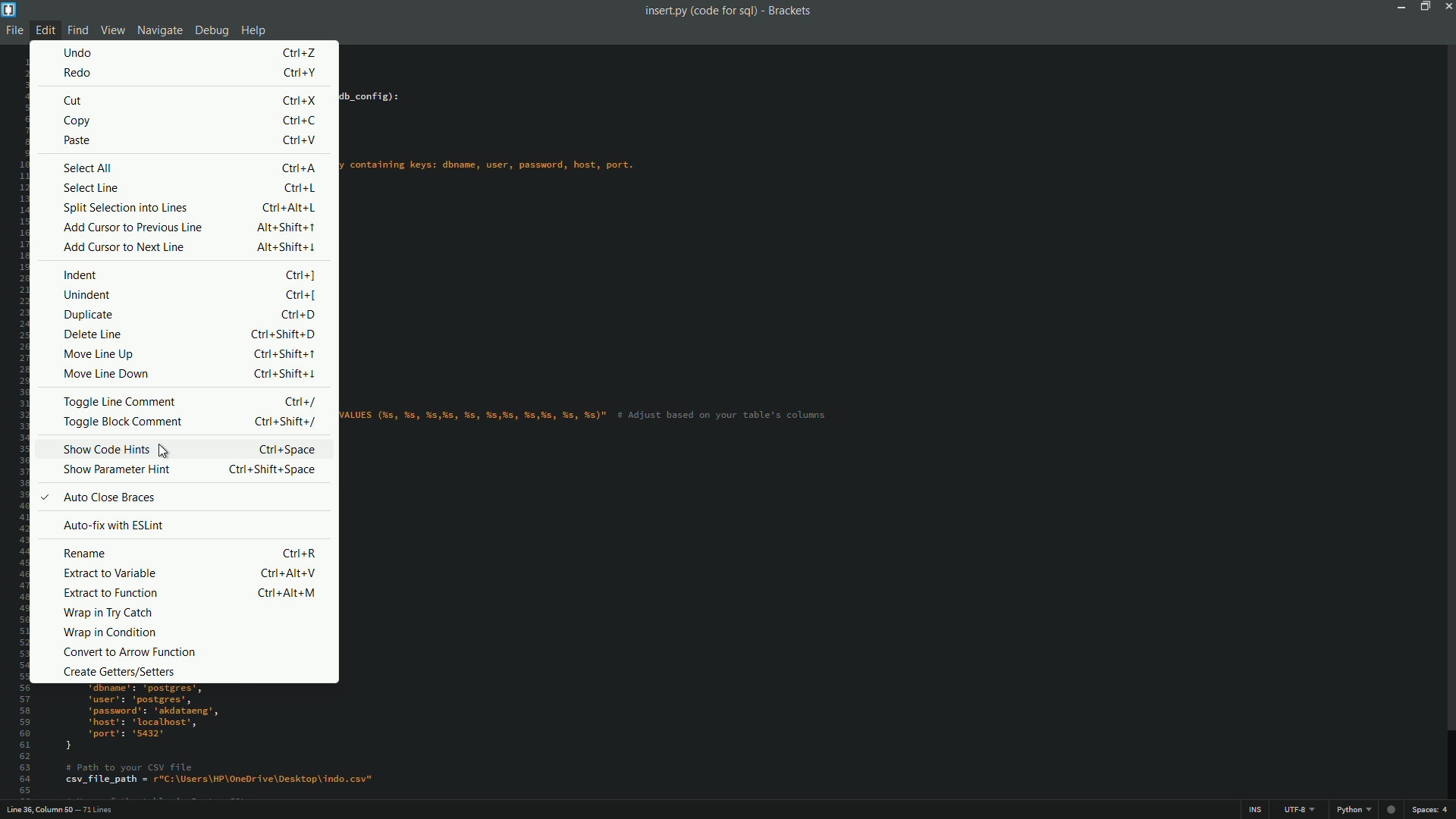 The image size is (1456, 819). I want to click on file menu, so click(13, 31).